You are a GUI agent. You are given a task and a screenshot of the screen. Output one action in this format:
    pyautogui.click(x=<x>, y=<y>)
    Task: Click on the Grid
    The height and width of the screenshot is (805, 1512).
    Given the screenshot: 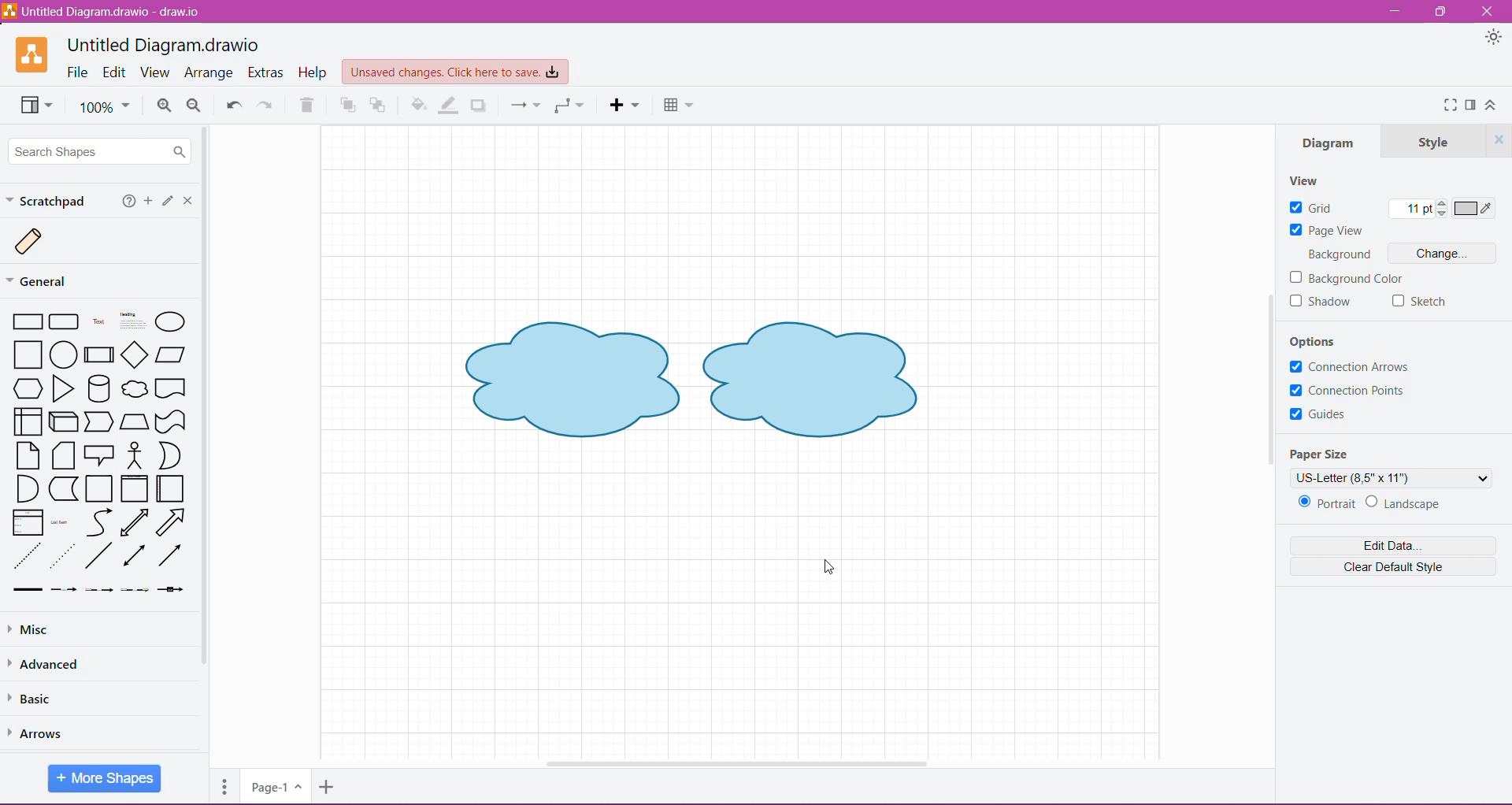 What is the action you would take?
    pyautogui.click(x=1315, y=208)
    